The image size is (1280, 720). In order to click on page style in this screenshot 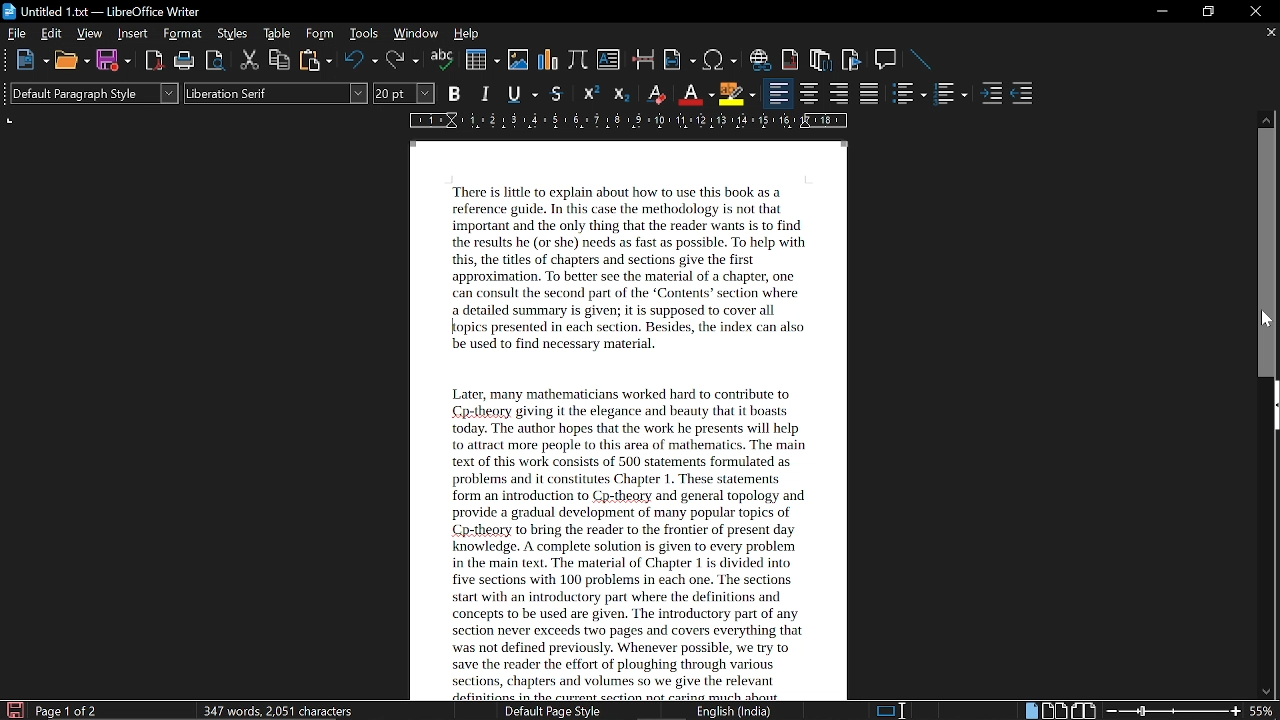, I will do `click(545, 711)`.